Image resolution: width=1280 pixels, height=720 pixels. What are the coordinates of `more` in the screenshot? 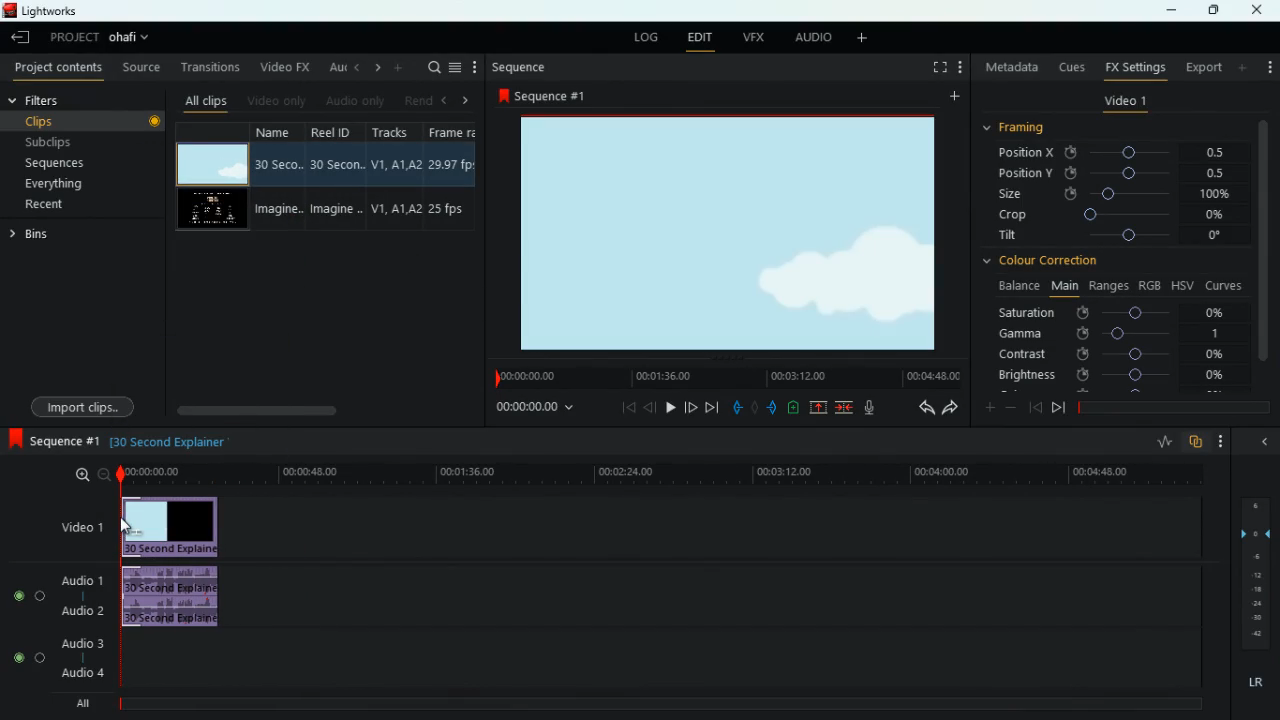 It's located at (1221, 440).